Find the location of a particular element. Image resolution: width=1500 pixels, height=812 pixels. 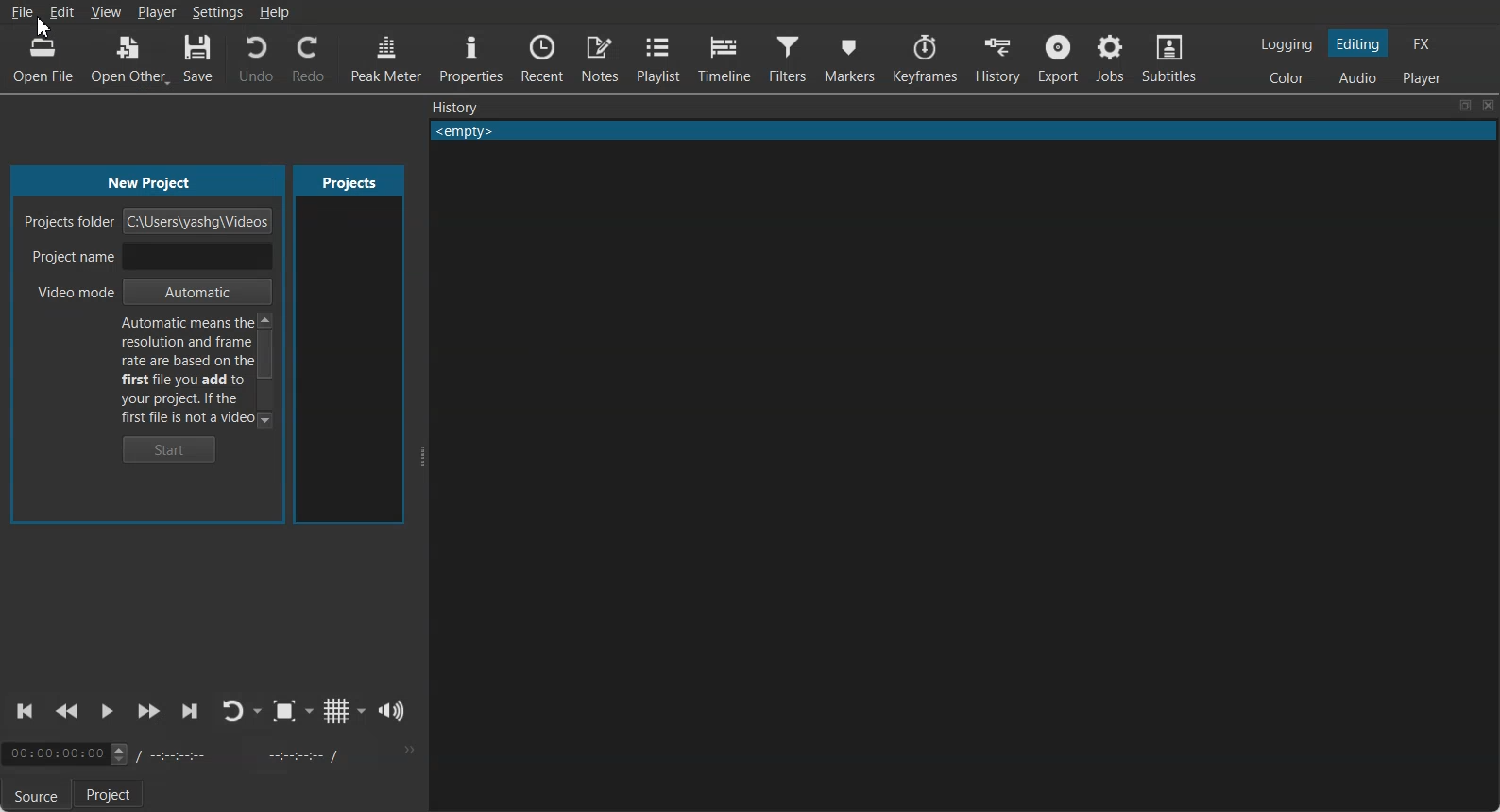

Toggle player lopping is located at coordinates (230, 711).